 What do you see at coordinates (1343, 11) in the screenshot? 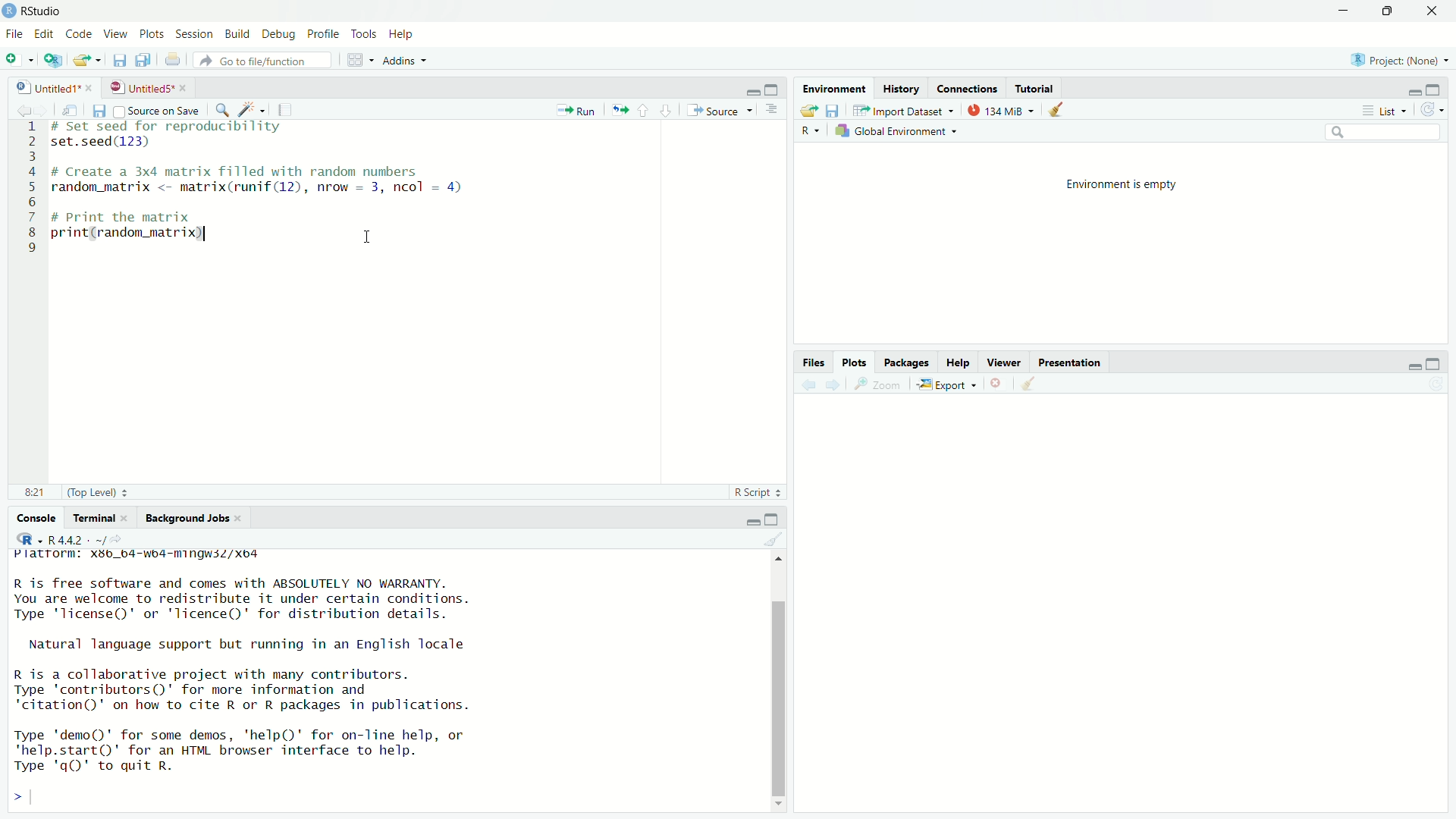
I see `minimise` at bounding box center [1343, 11].